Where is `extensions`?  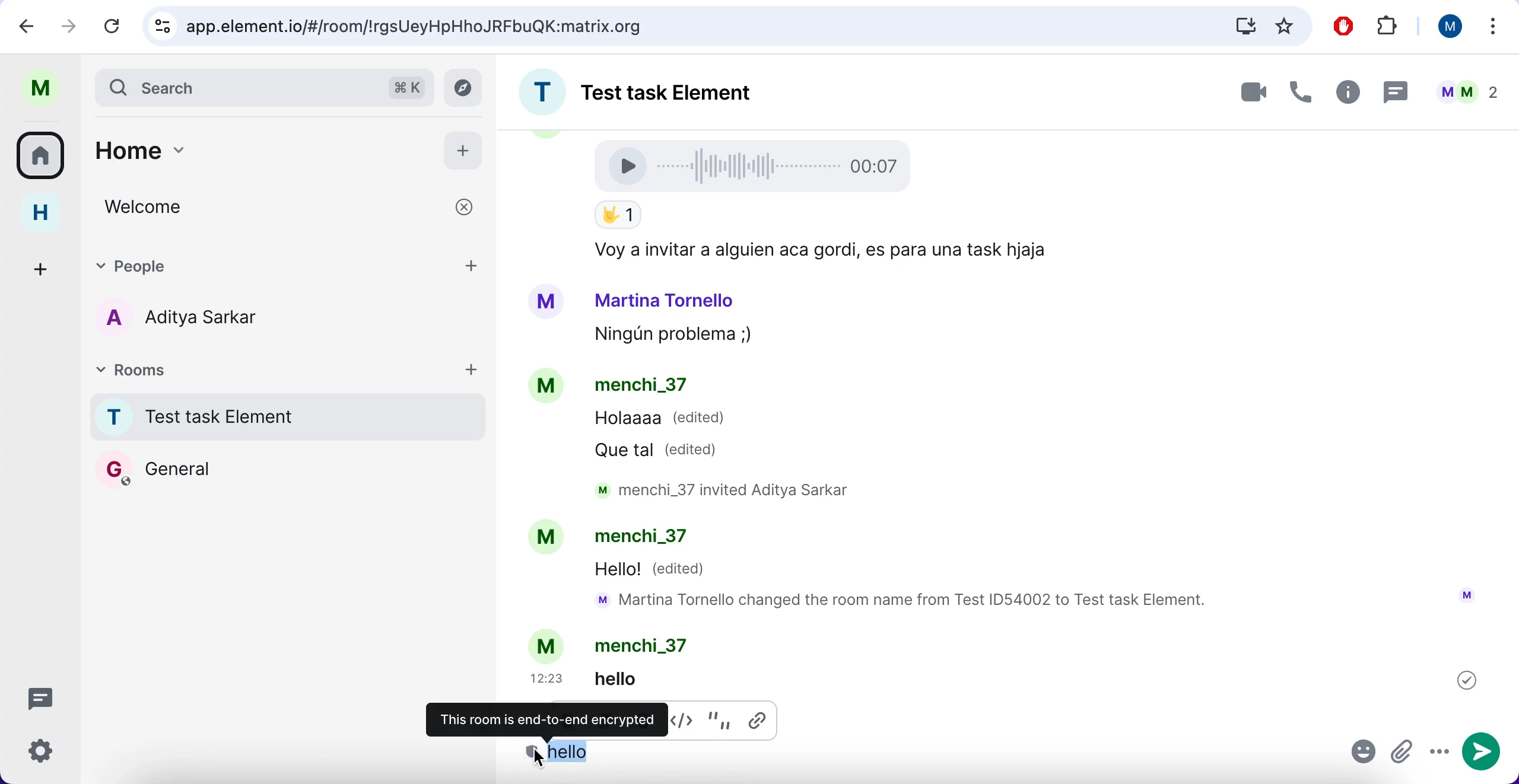 extensions is located at coordinates (1390, 27).